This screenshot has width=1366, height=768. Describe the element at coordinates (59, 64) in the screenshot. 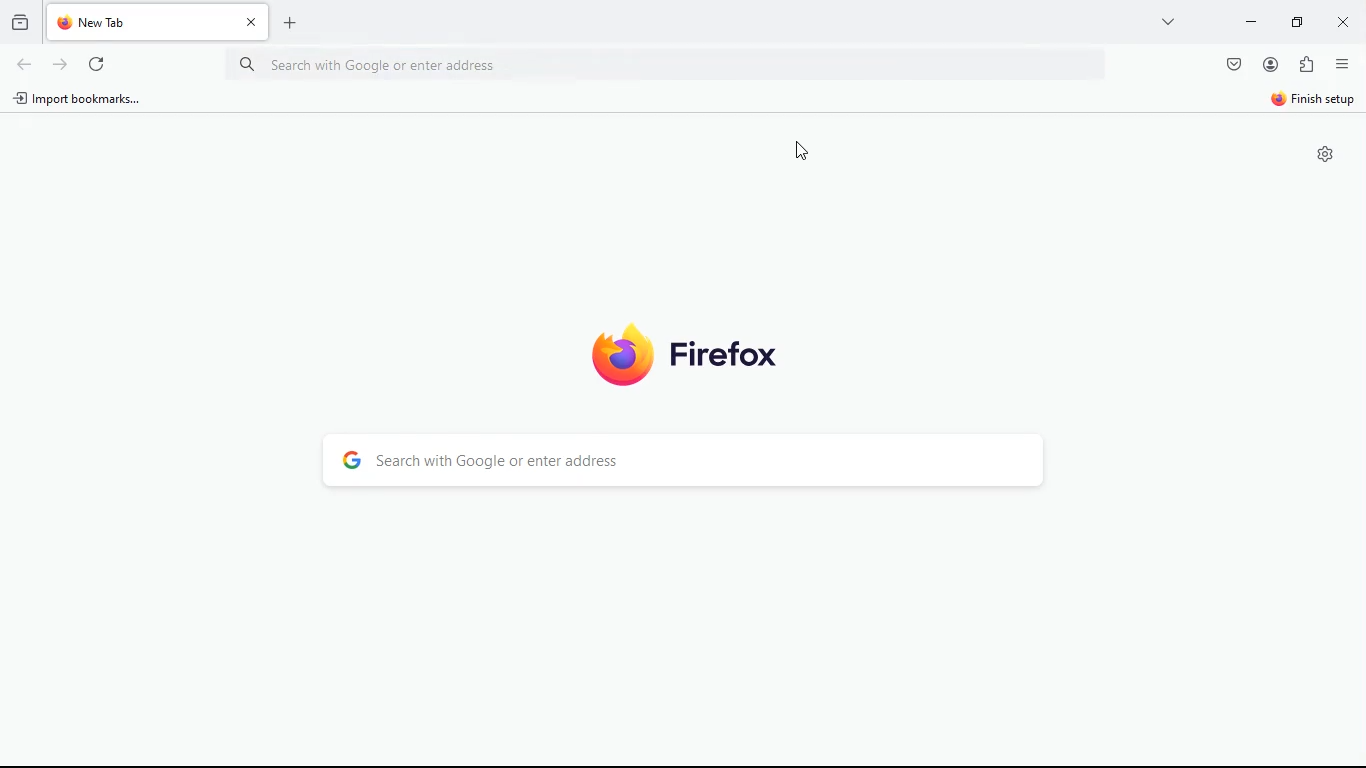

I see `refresh` at that location.